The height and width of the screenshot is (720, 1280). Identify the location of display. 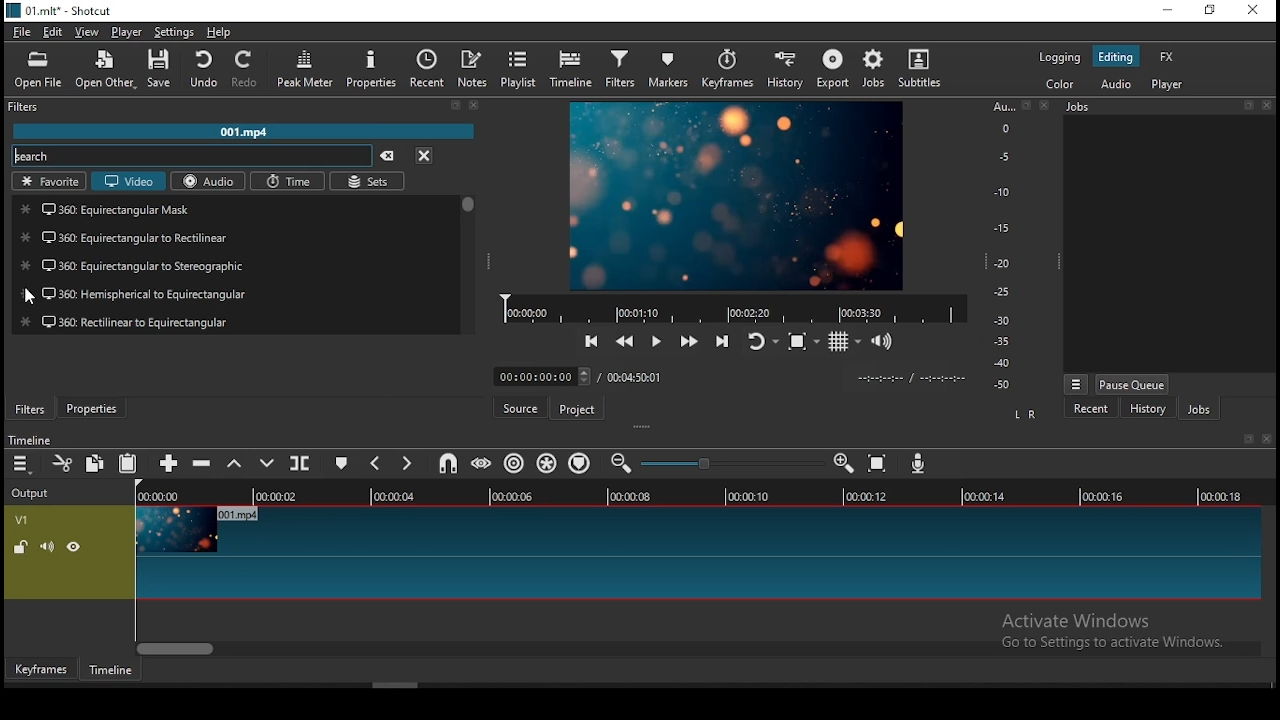
(1172, 244).